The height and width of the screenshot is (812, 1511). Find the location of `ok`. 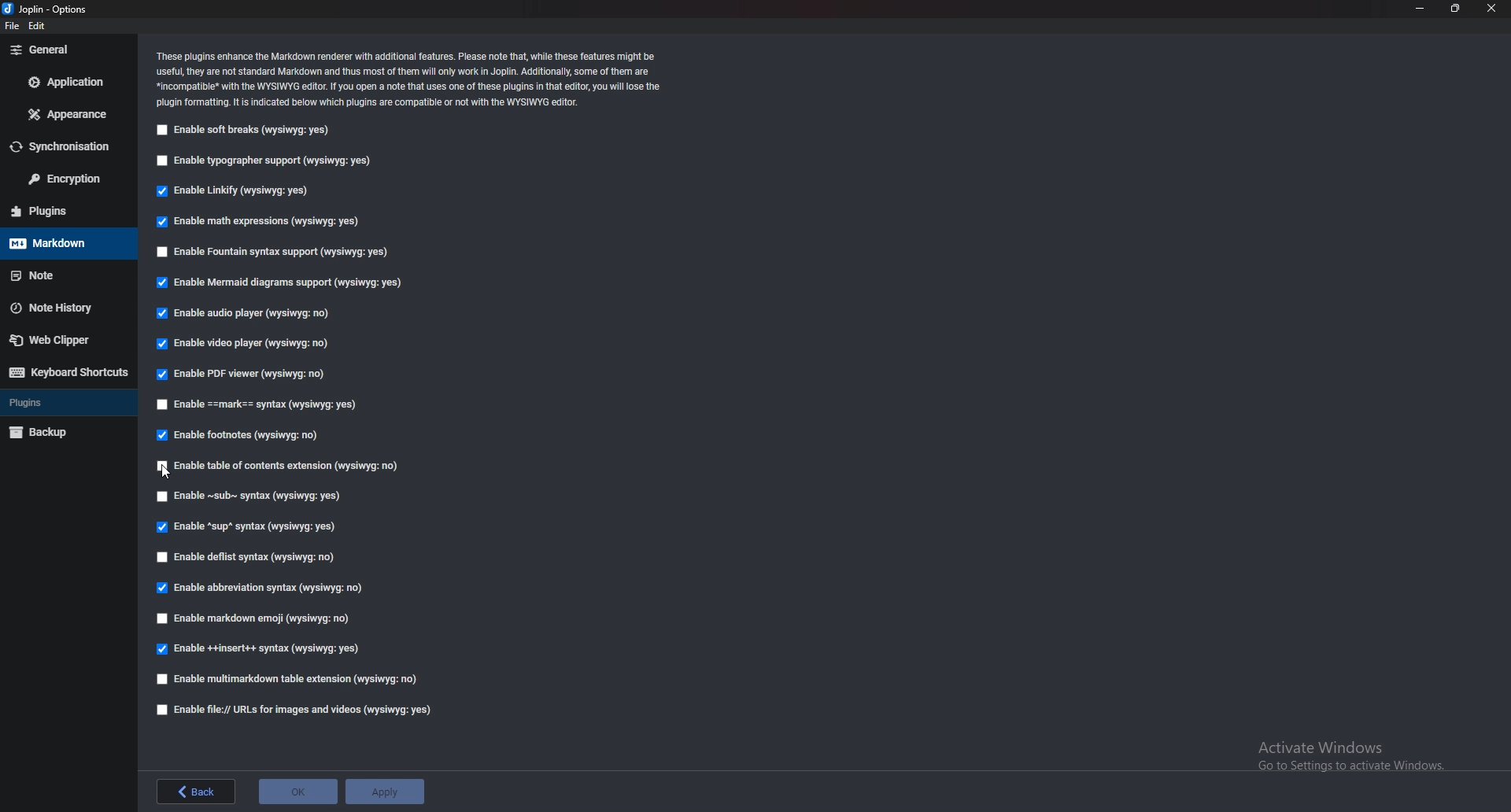

ok is located at coordinates (298, 789).